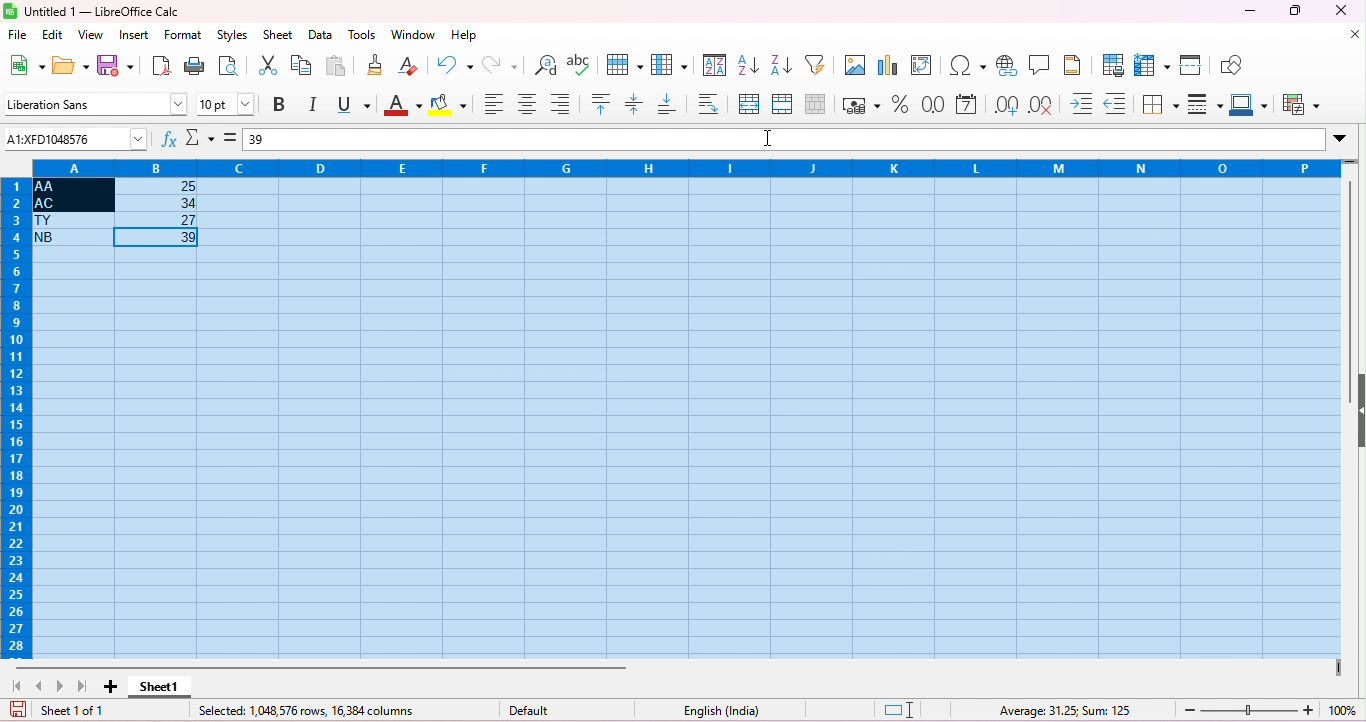 The width and height of the screenshot is (1366, 722). I want to click on minimize, so click(1249, 12).